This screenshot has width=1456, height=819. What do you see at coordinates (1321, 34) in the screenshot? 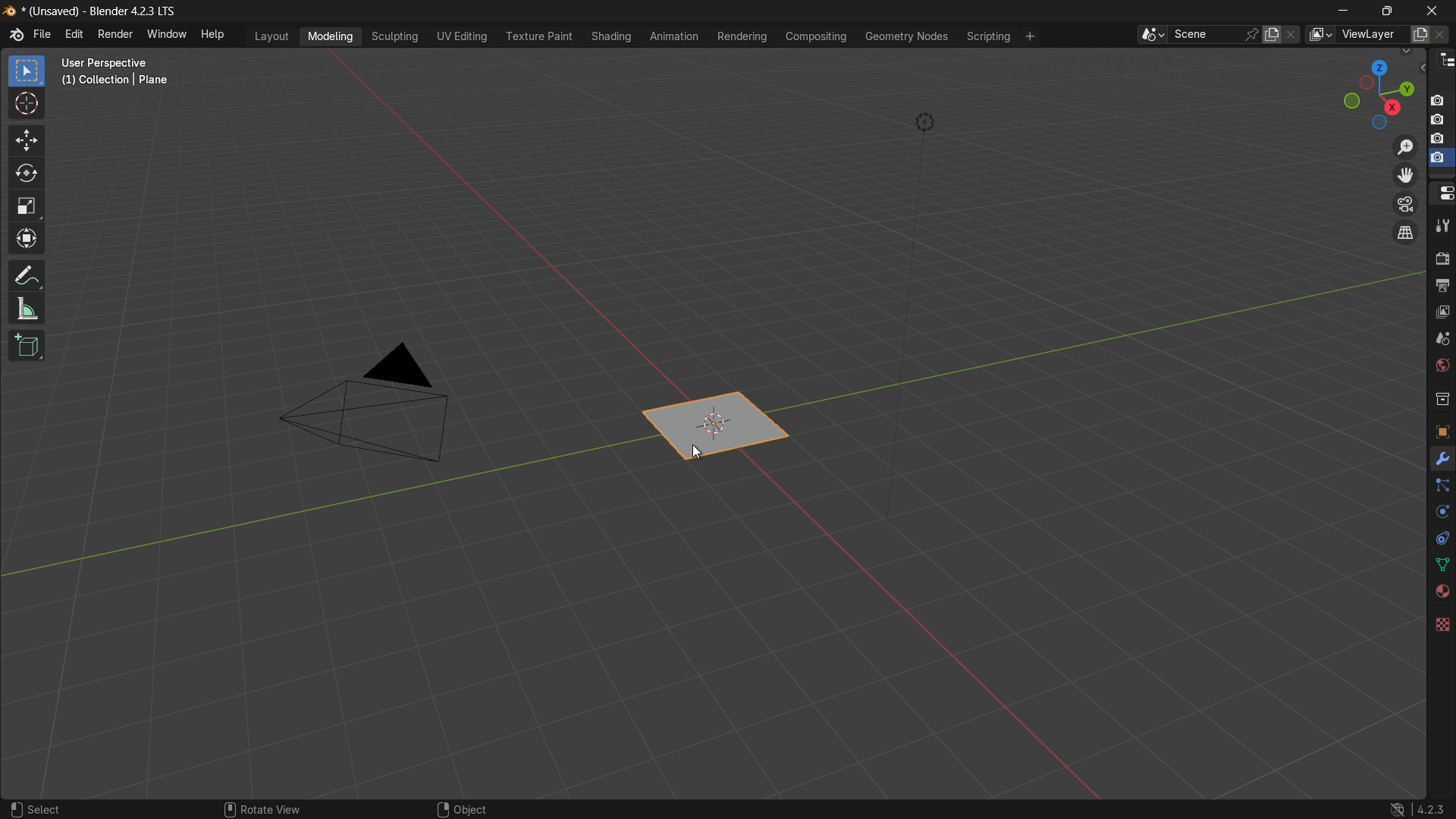
I see `browse views` at bounding box center [1321, 34].